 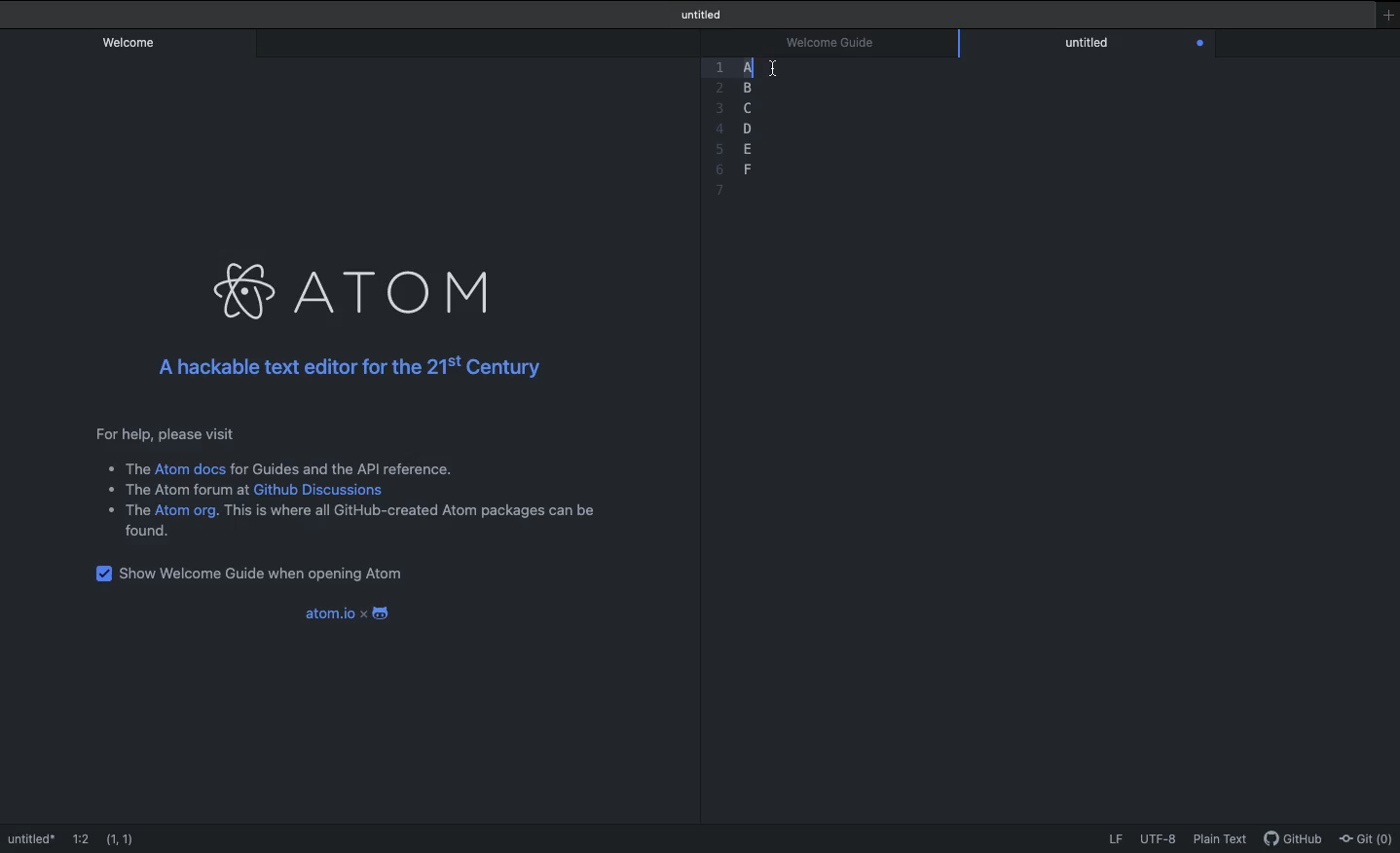 What do you see at coordinates (717, 128) in the screenshot?
I see `4` at bounding box center [717, 128].